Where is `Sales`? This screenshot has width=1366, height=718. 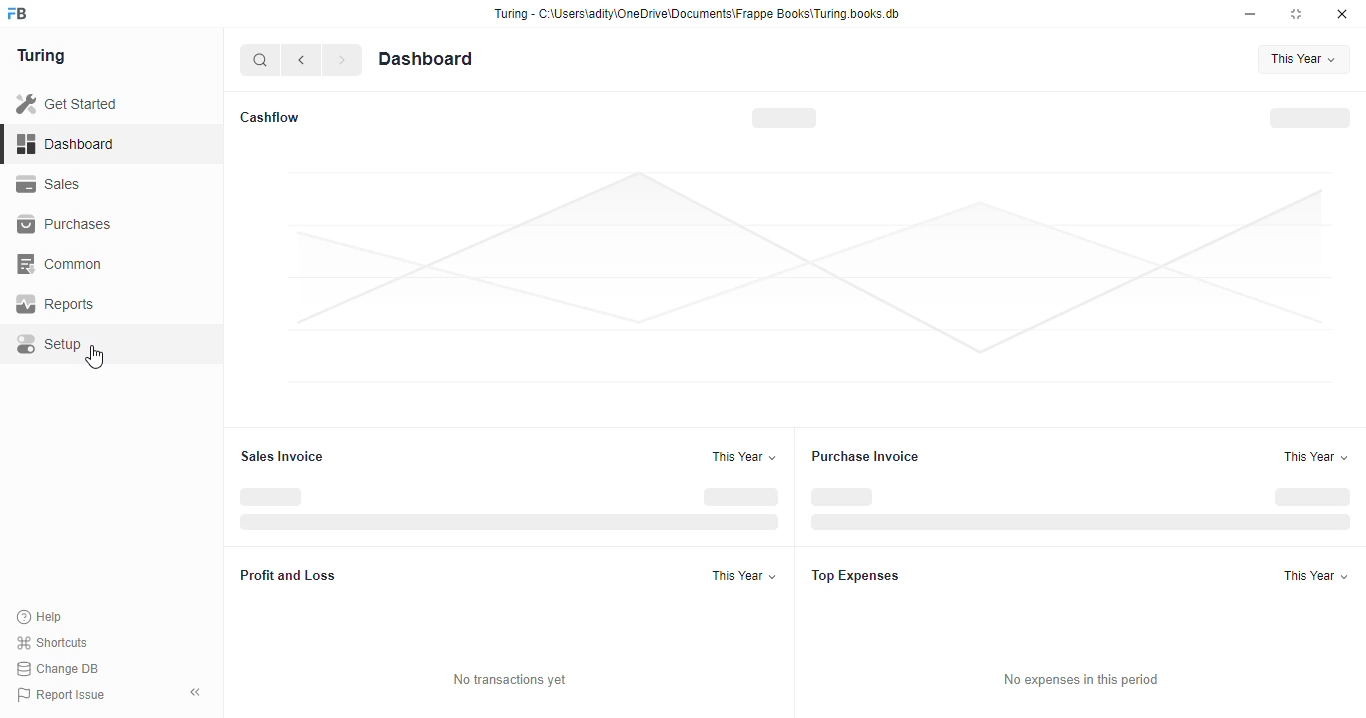 Sales is located at coordinates (58, 184).